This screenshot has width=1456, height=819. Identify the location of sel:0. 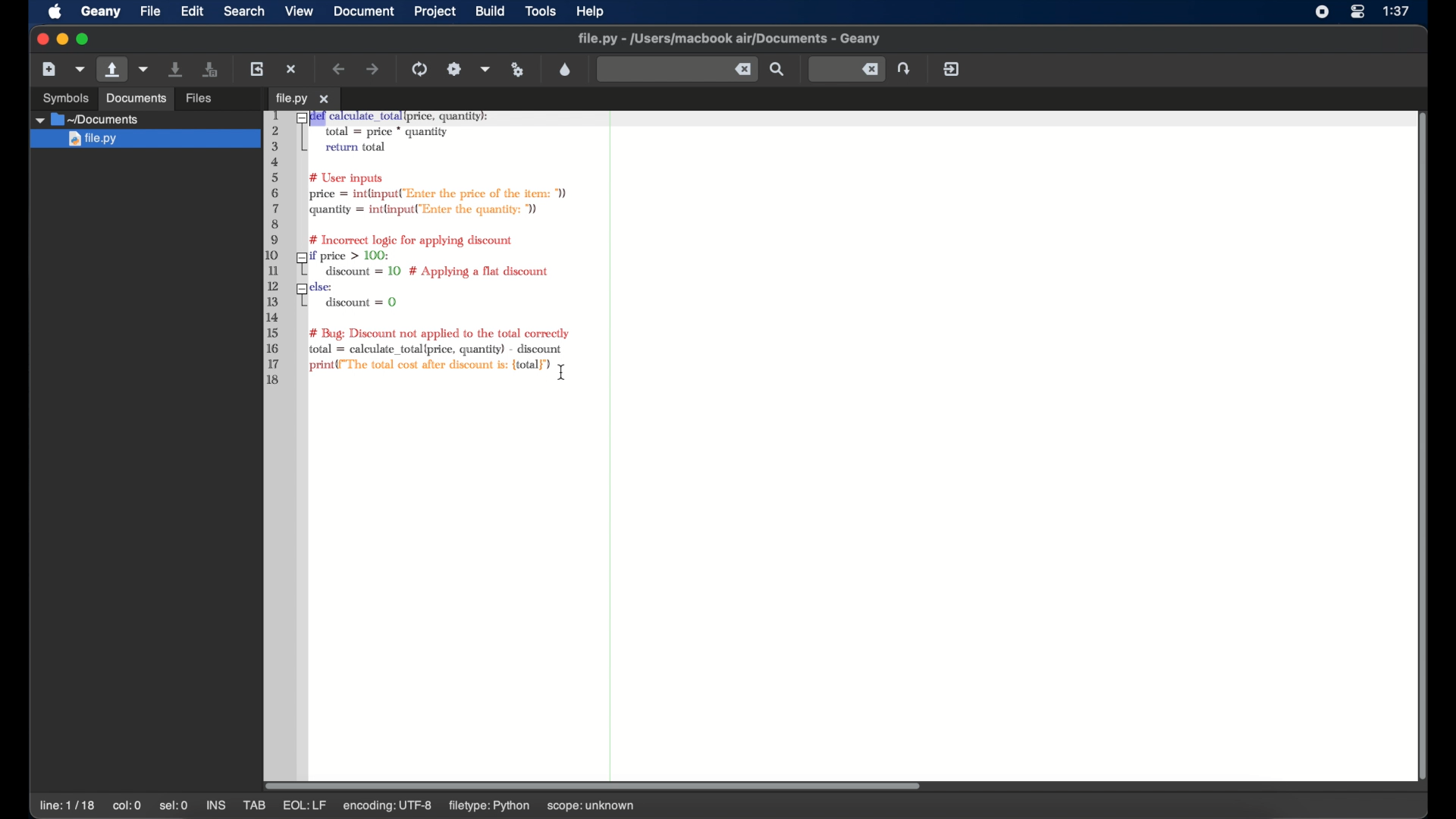
(174, 805).